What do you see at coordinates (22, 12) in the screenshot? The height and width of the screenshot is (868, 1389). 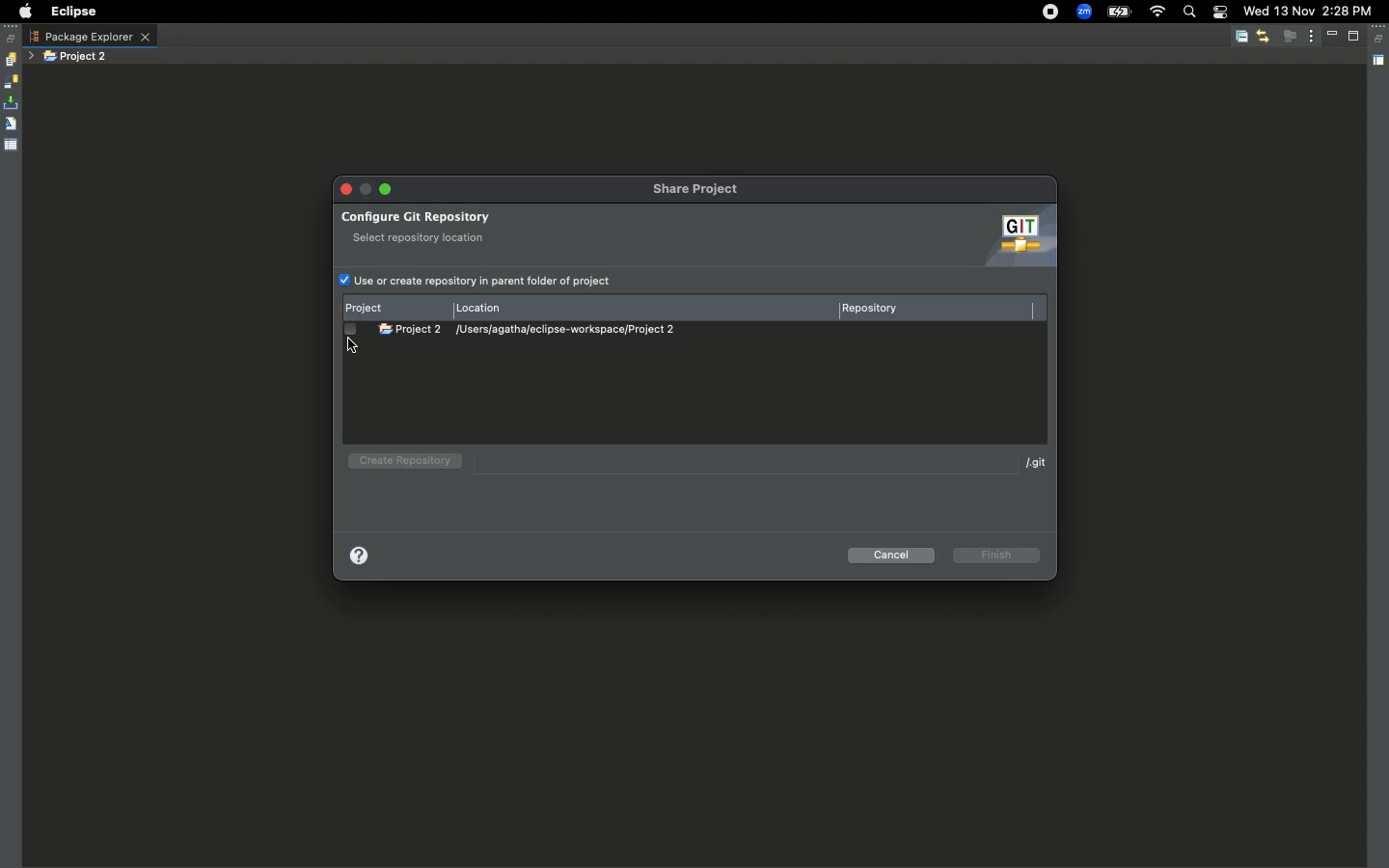 I see `Apple logo` at bounding box center [22, 12].